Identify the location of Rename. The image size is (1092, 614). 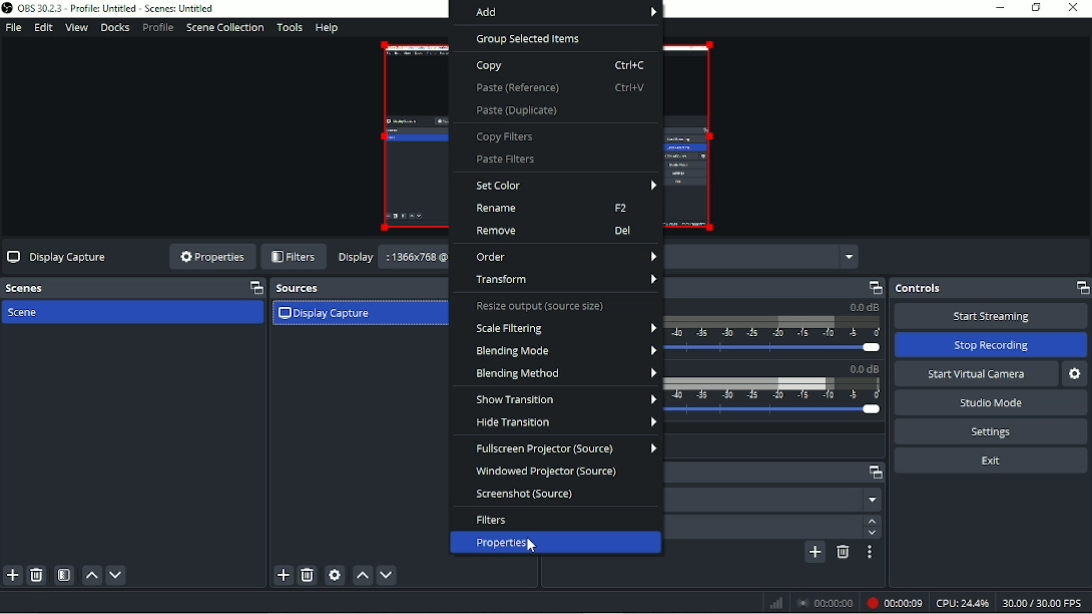
(552, 209).